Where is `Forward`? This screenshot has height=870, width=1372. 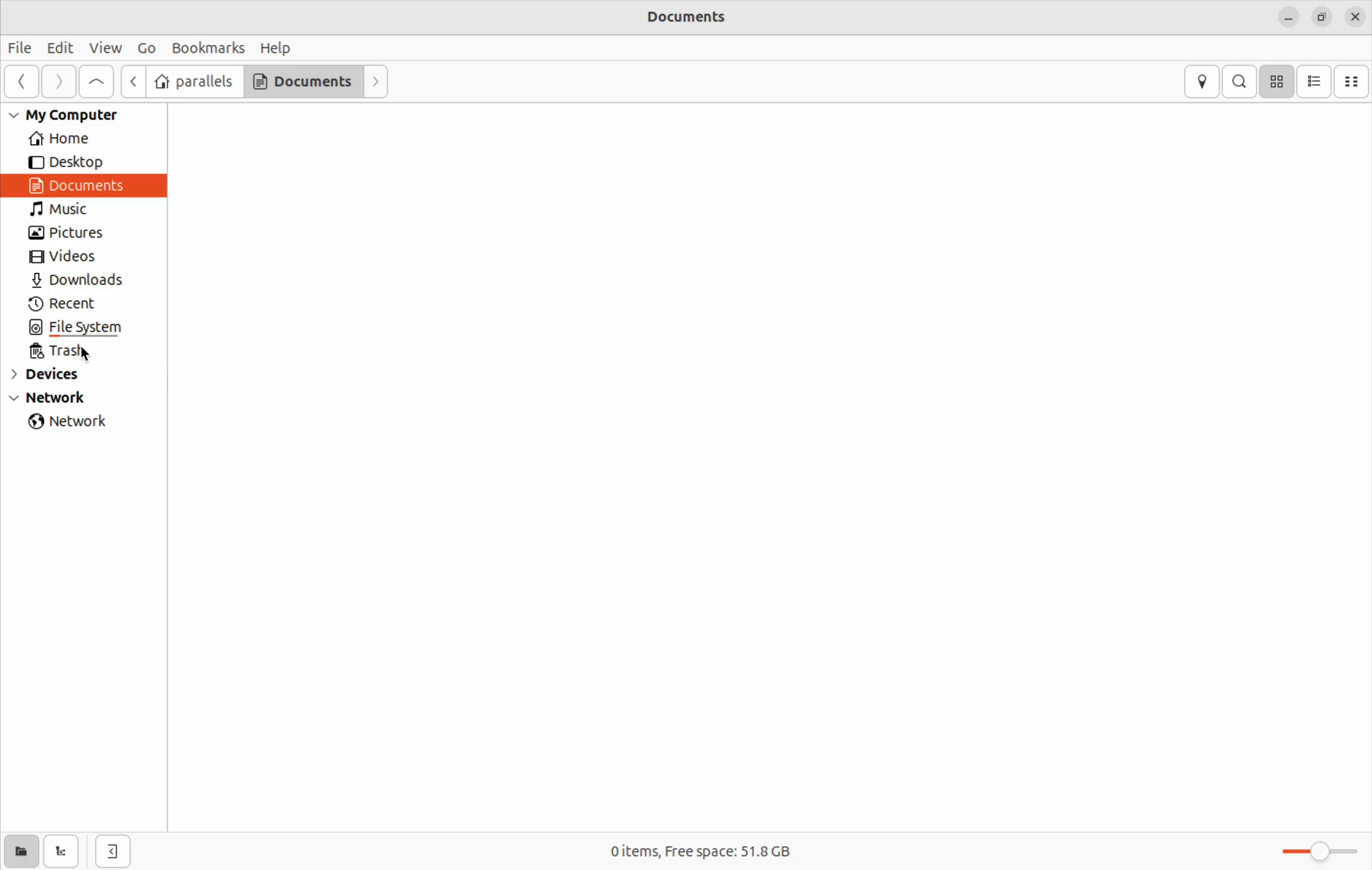
Forward is located at coordinates (58, 81).